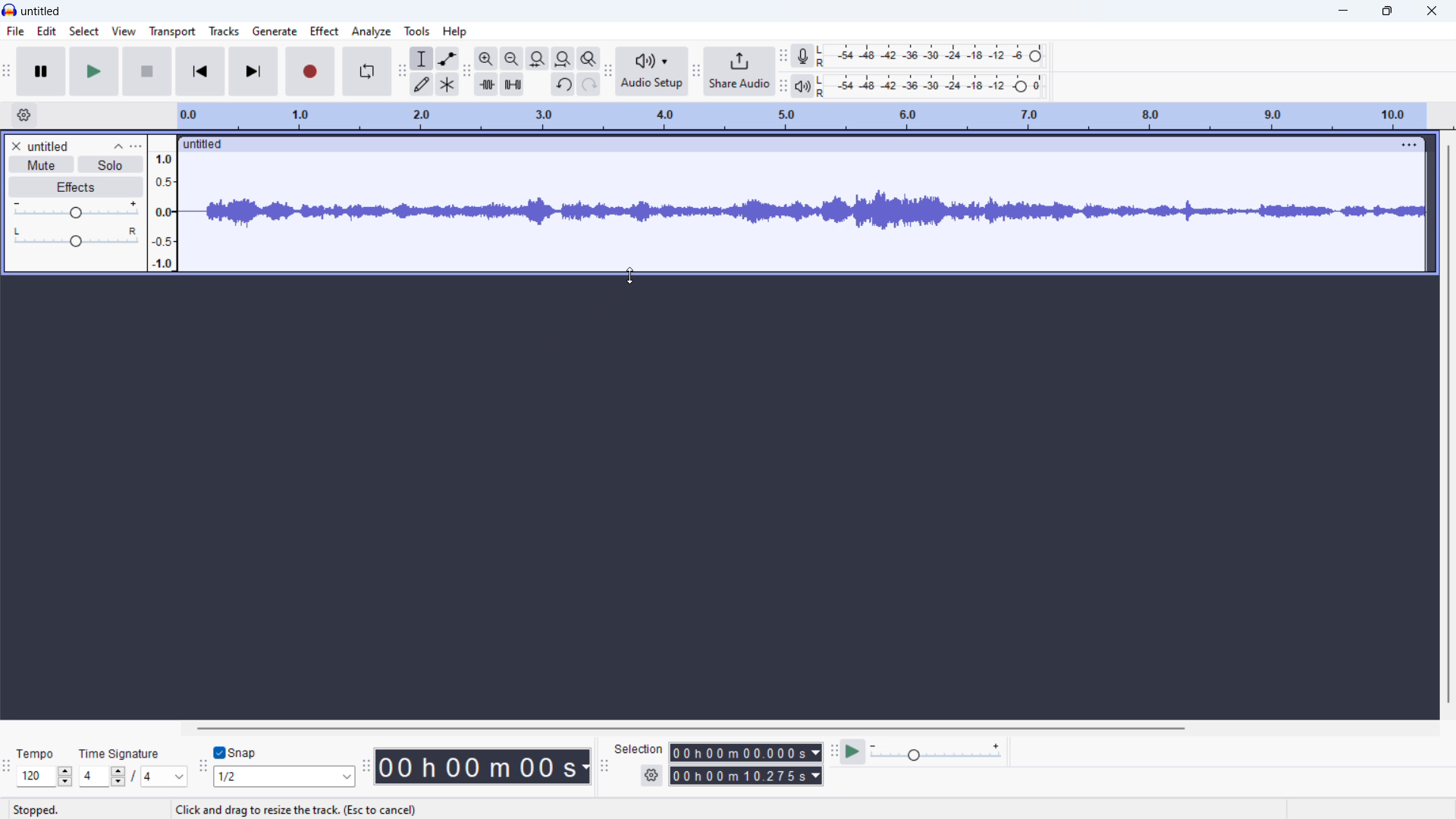  Describe the element at coordinates (296, 810) in the screenshot. I see `Click and drag to resize the track` at that location.